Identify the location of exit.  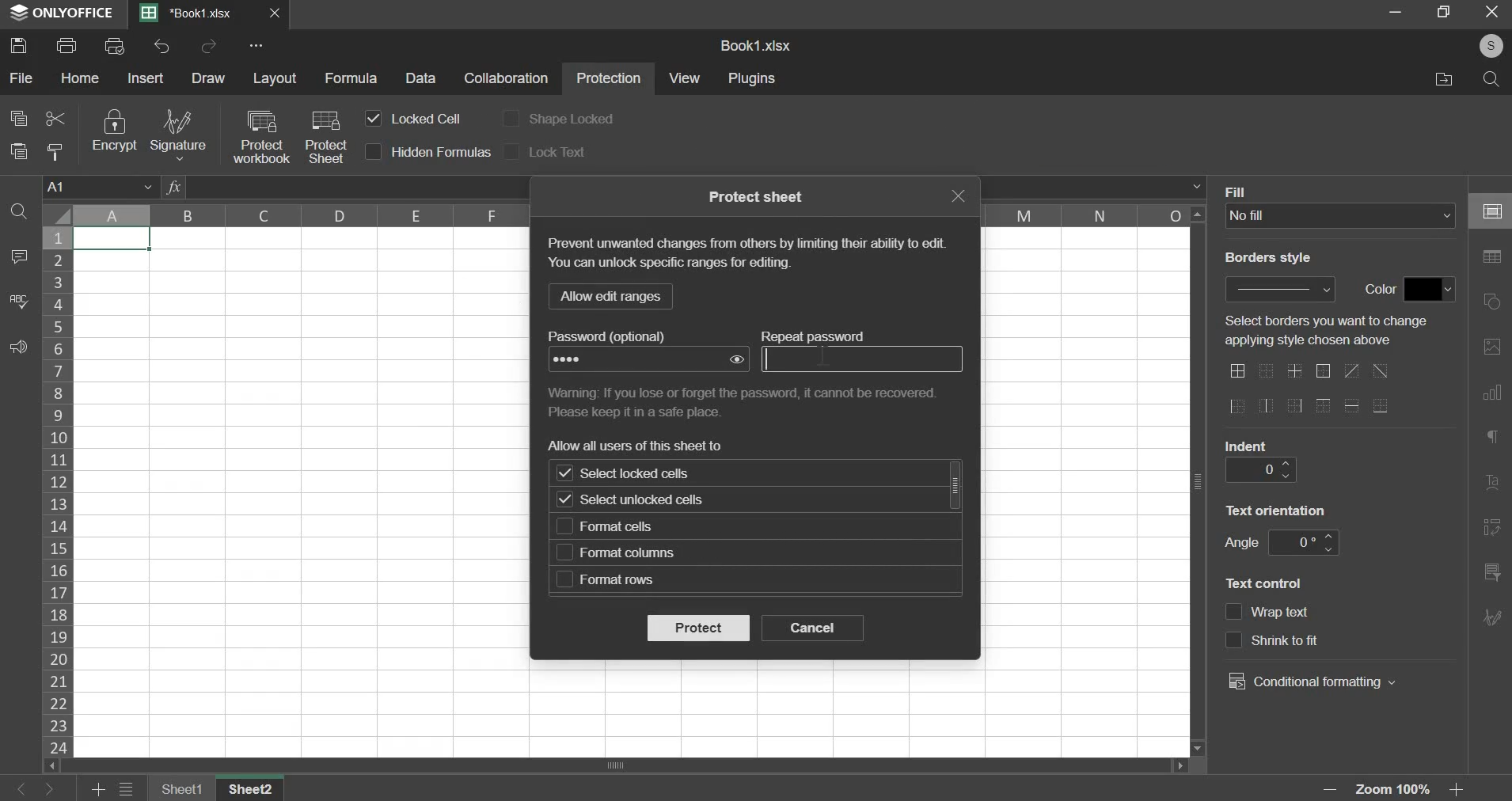
(957, 196).